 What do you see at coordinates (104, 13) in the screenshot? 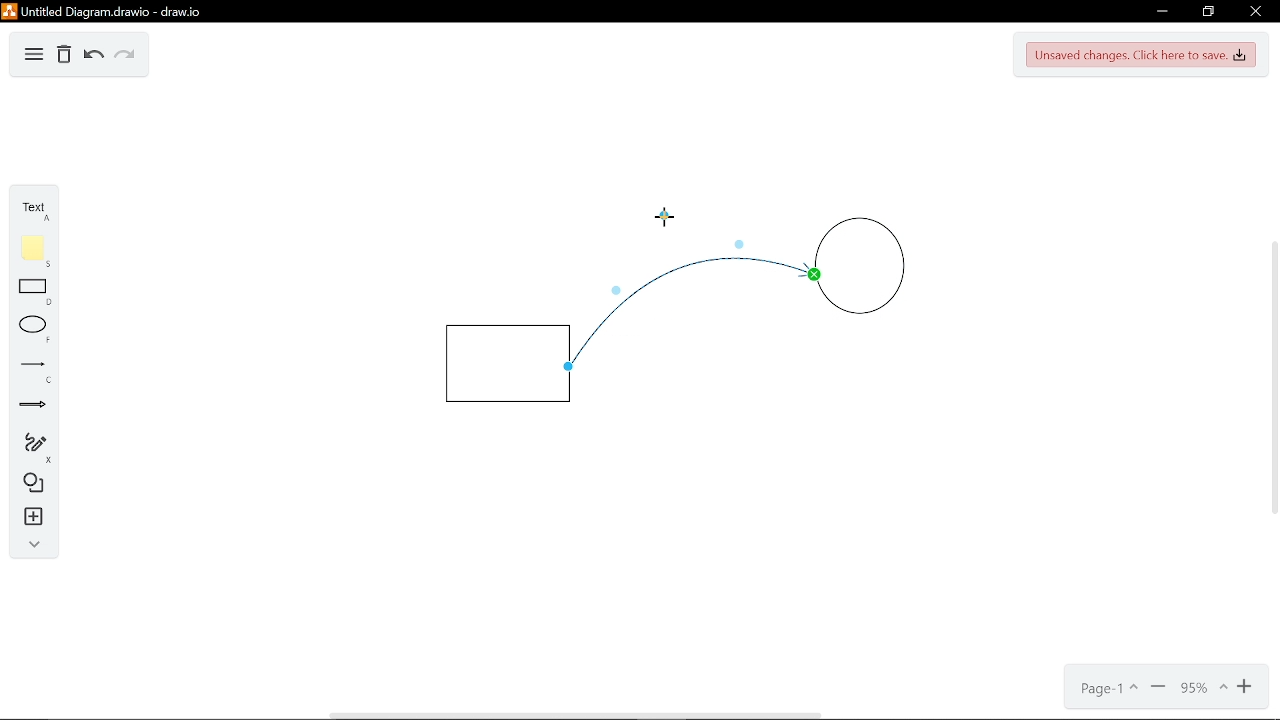
I see `Untitled diagram drawio` at bounding box center [104, 13].